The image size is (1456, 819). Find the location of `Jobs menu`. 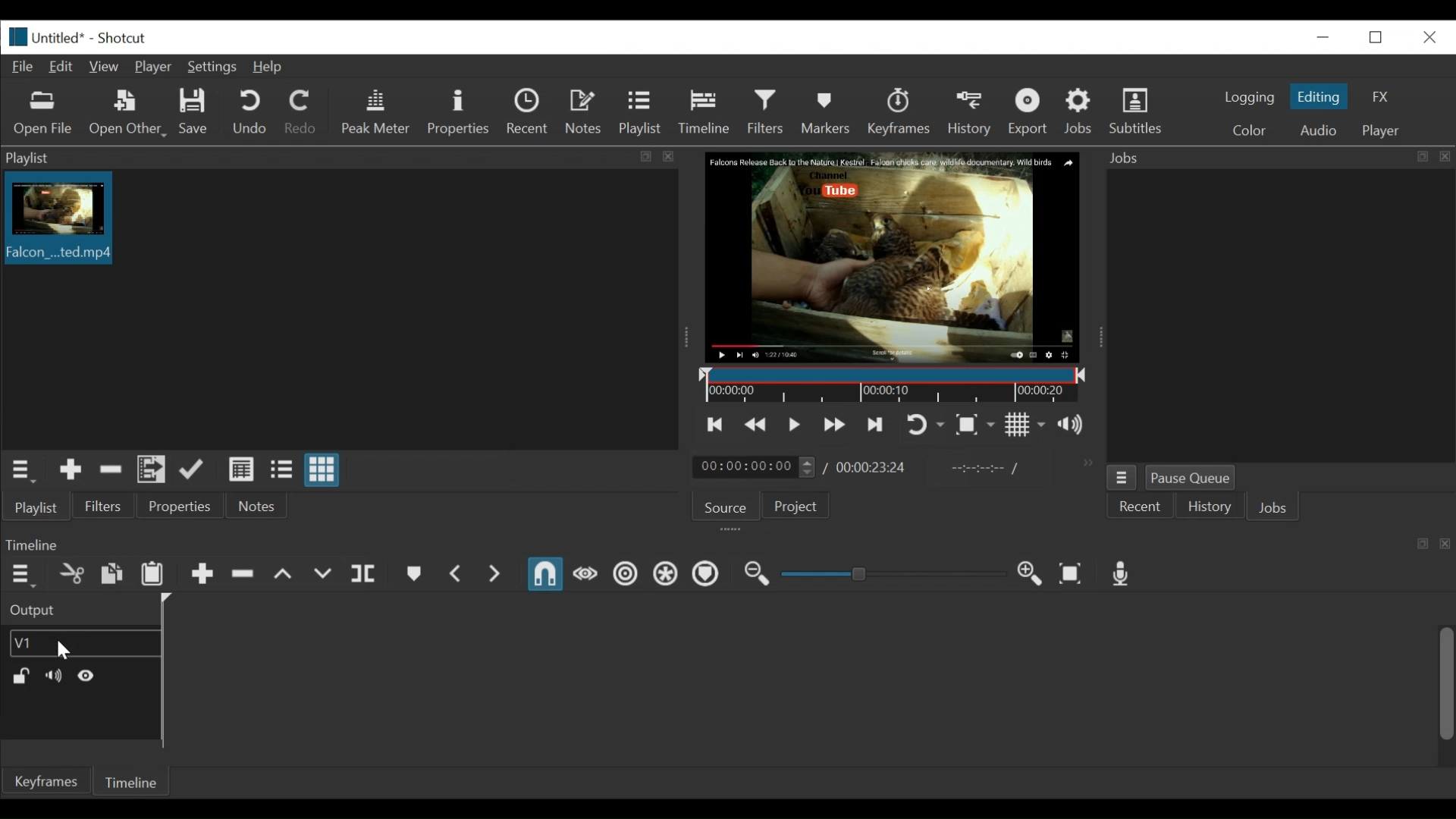

Jobs menu is located at coordinates (1123, 478).